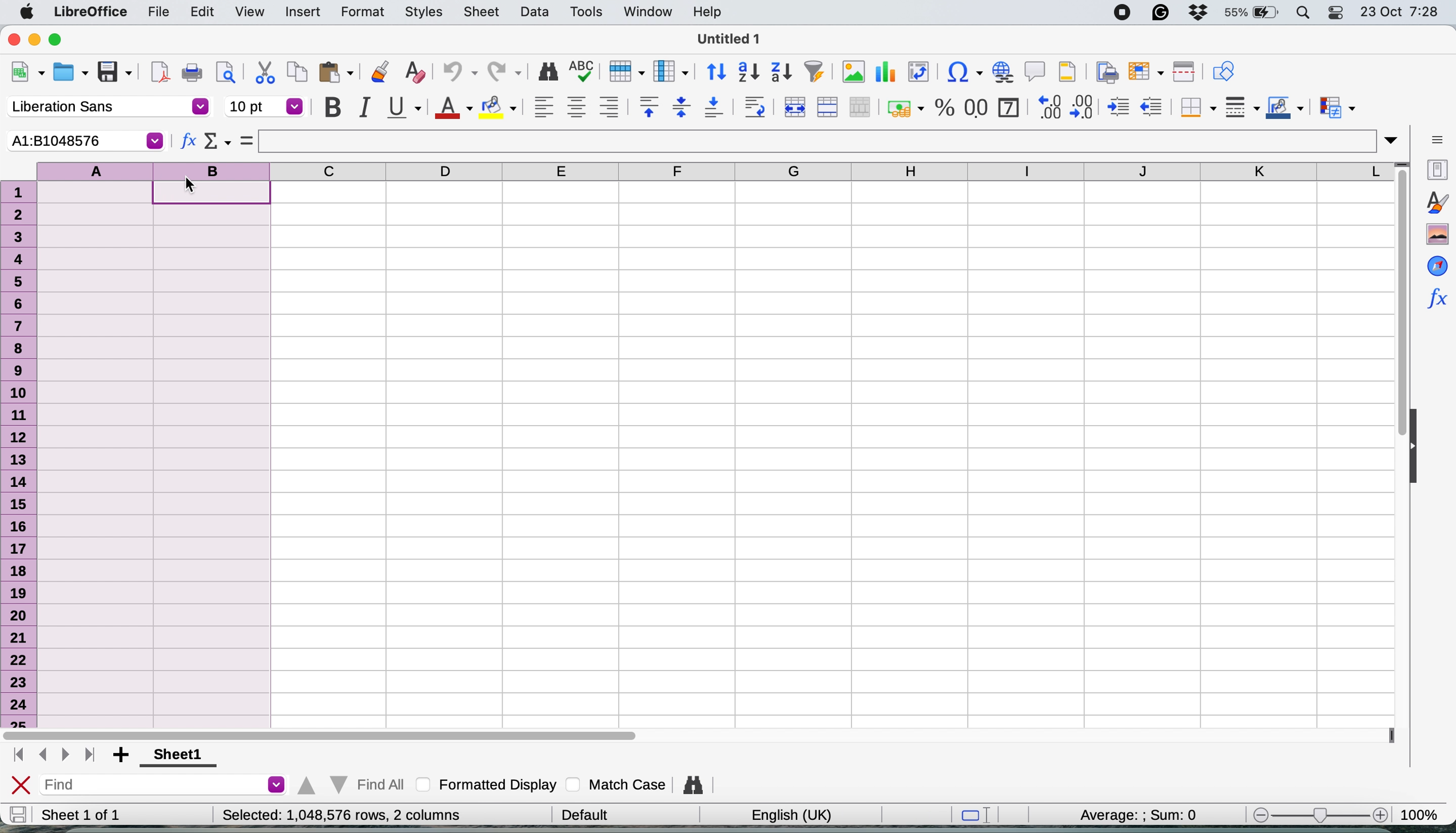  Describe the element at coordinates (505, 71) in the screenshot. I see `redo` at that location.